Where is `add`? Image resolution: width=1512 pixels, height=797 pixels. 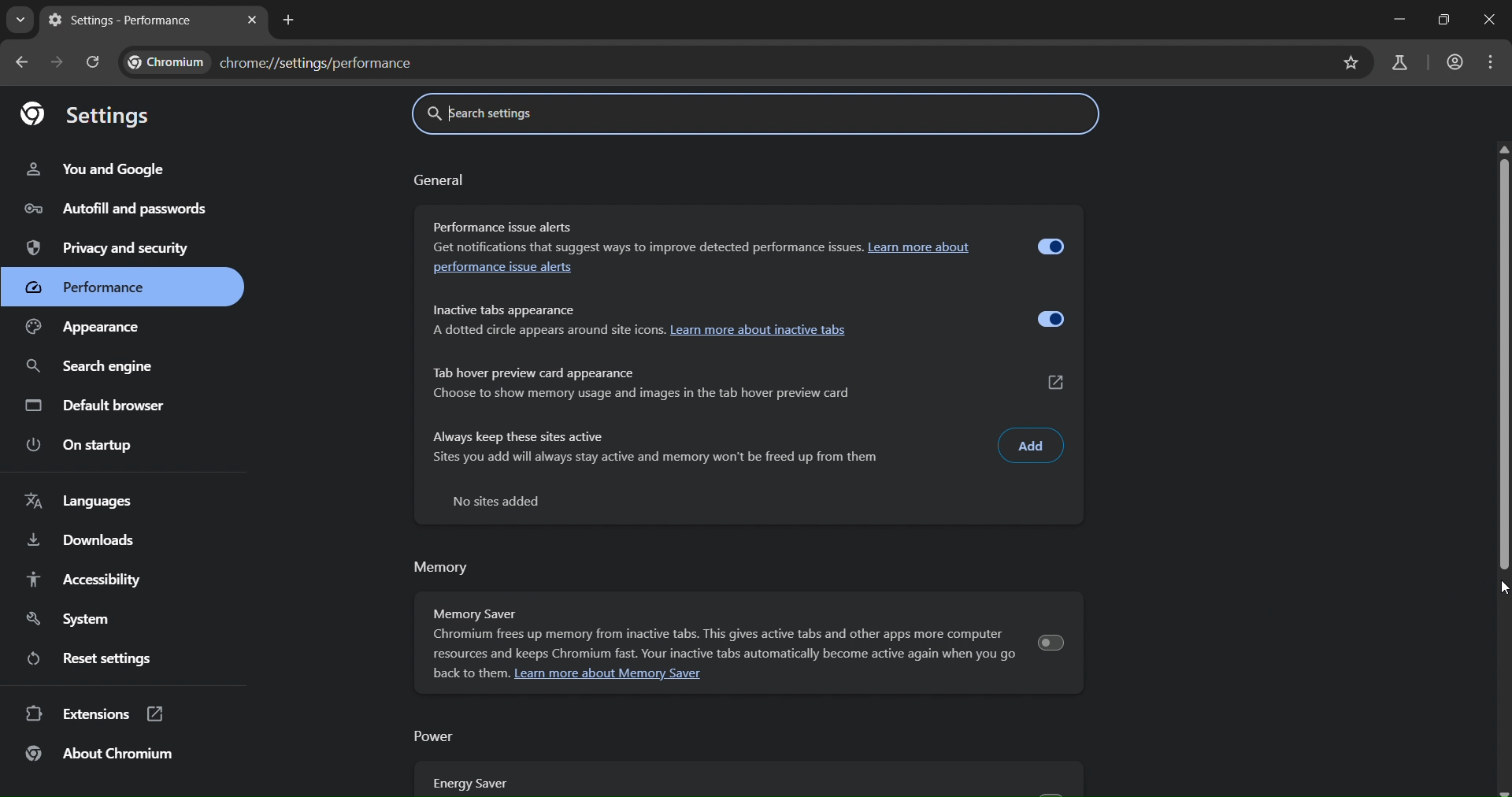
add is located at coordinates (1031, 444).